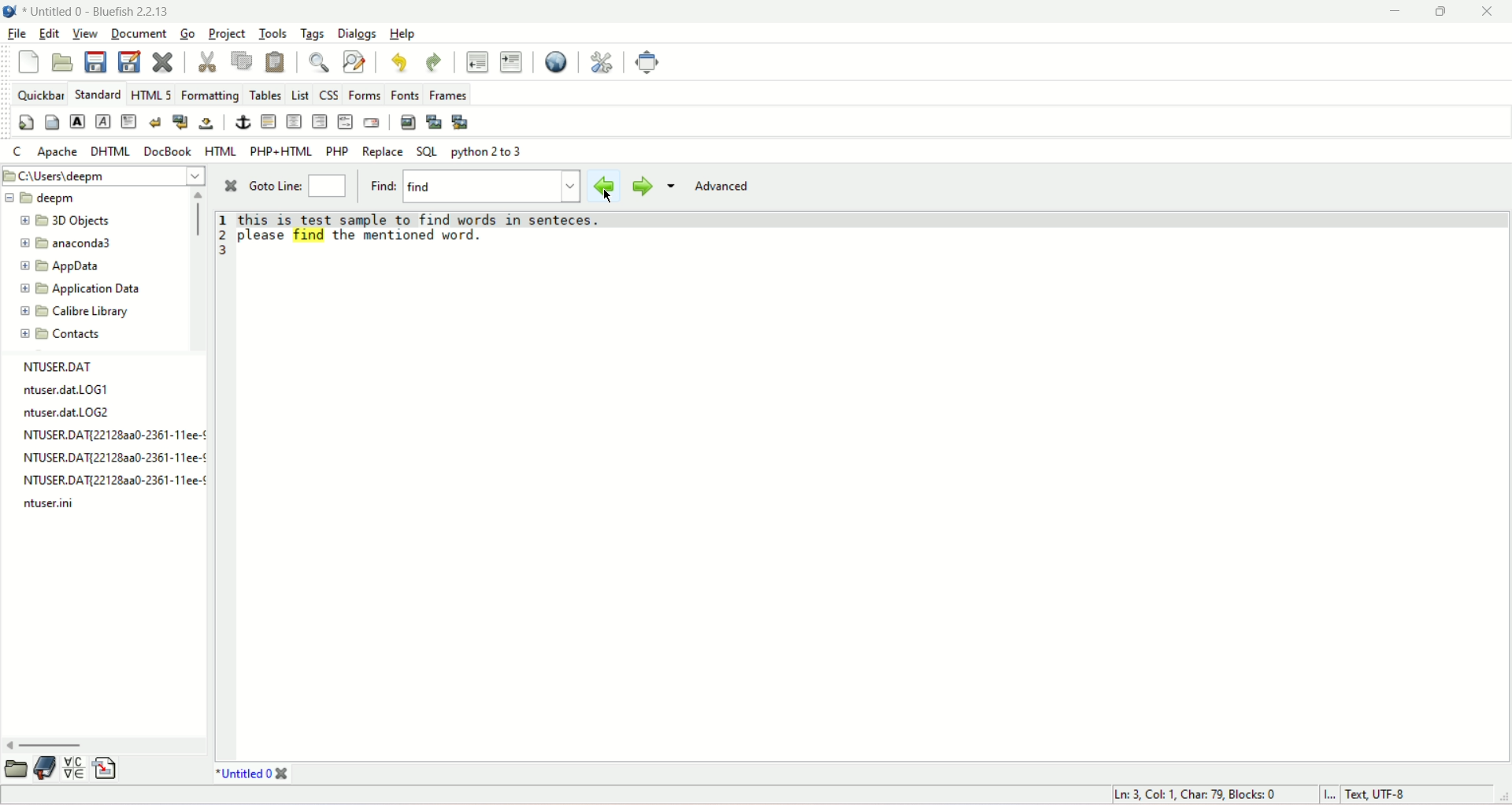 The height and width of the screenshot is (805, 1512). What do you see at coordinates (302, 95) in the screenshot?
I see `list` at bounding box center [302, 95].